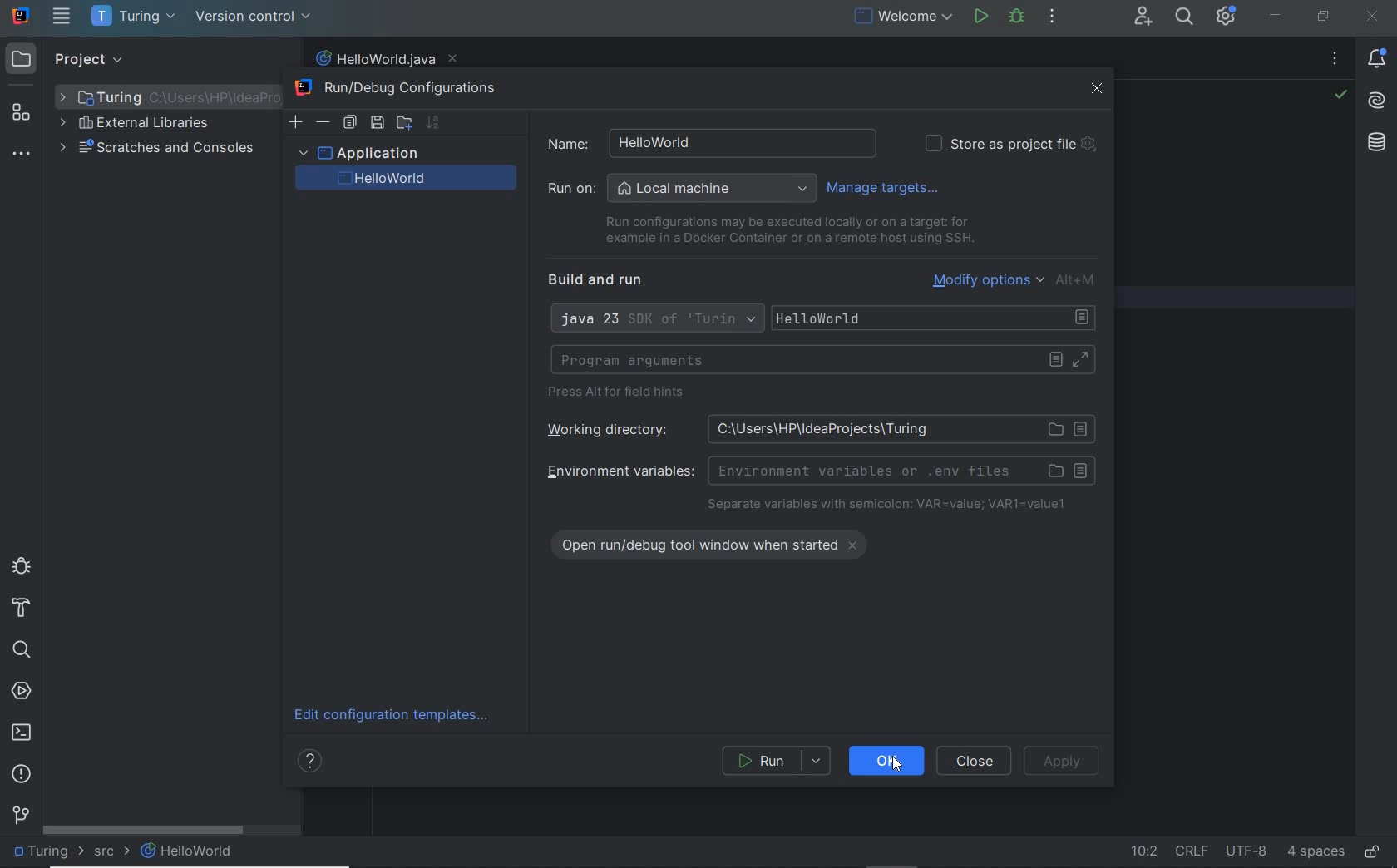 The image size is (1397, 868). I want to click on edit configuration templates, so click(397, 716).